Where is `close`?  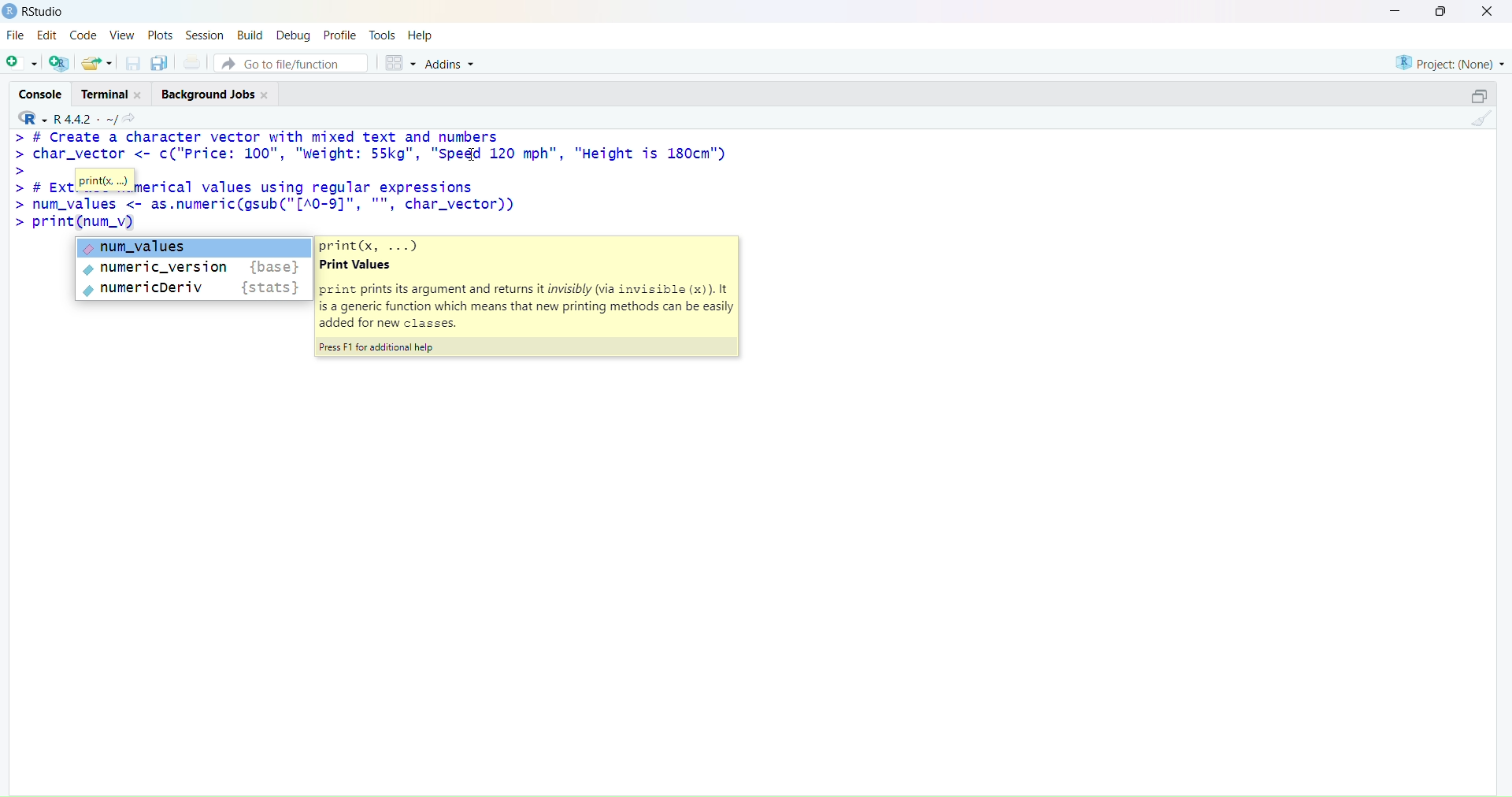
close is located at coordinates (265, 95).